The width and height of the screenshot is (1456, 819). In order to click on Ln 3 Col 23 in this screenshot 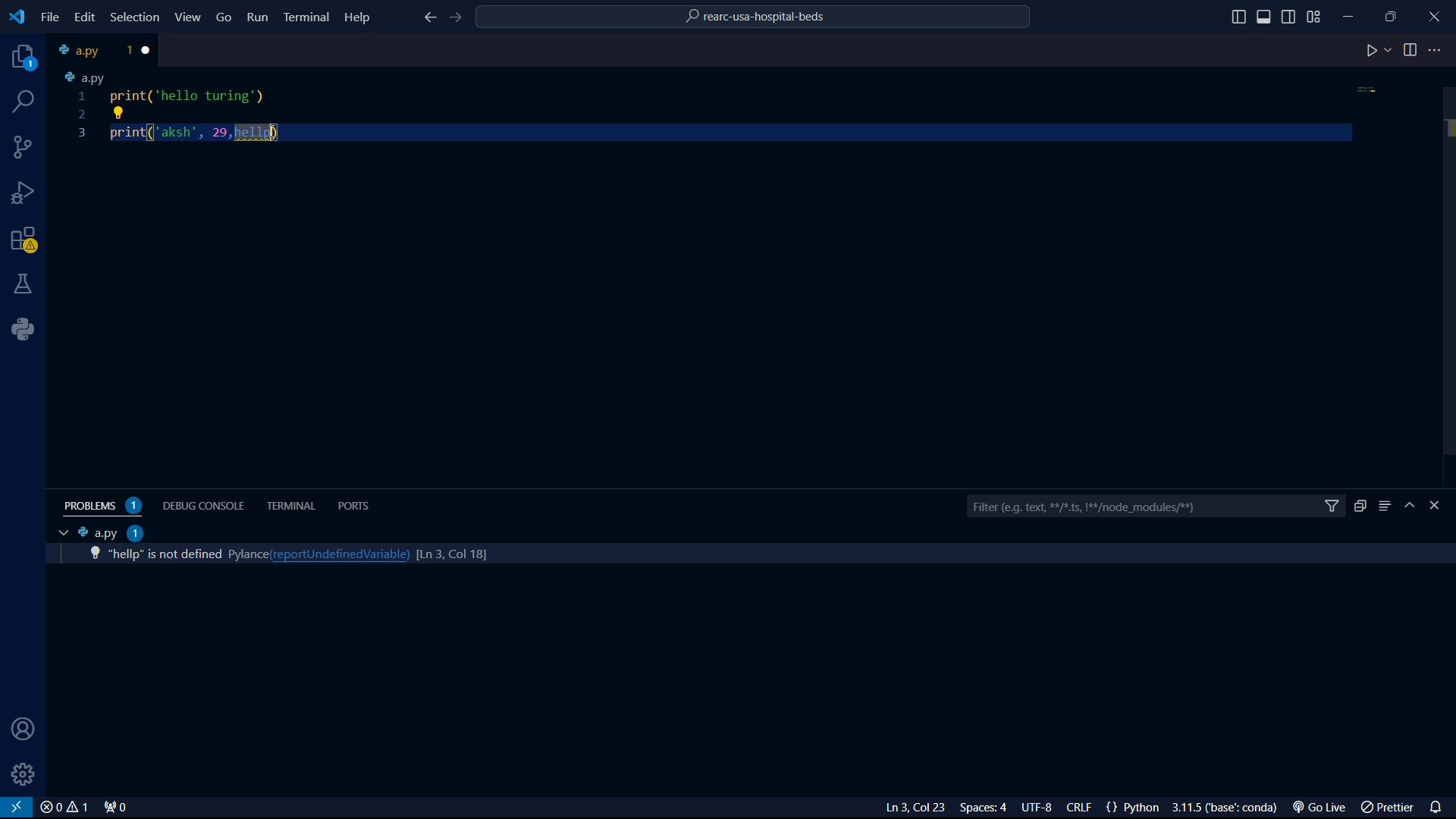, I will do `click(897, 808)`.